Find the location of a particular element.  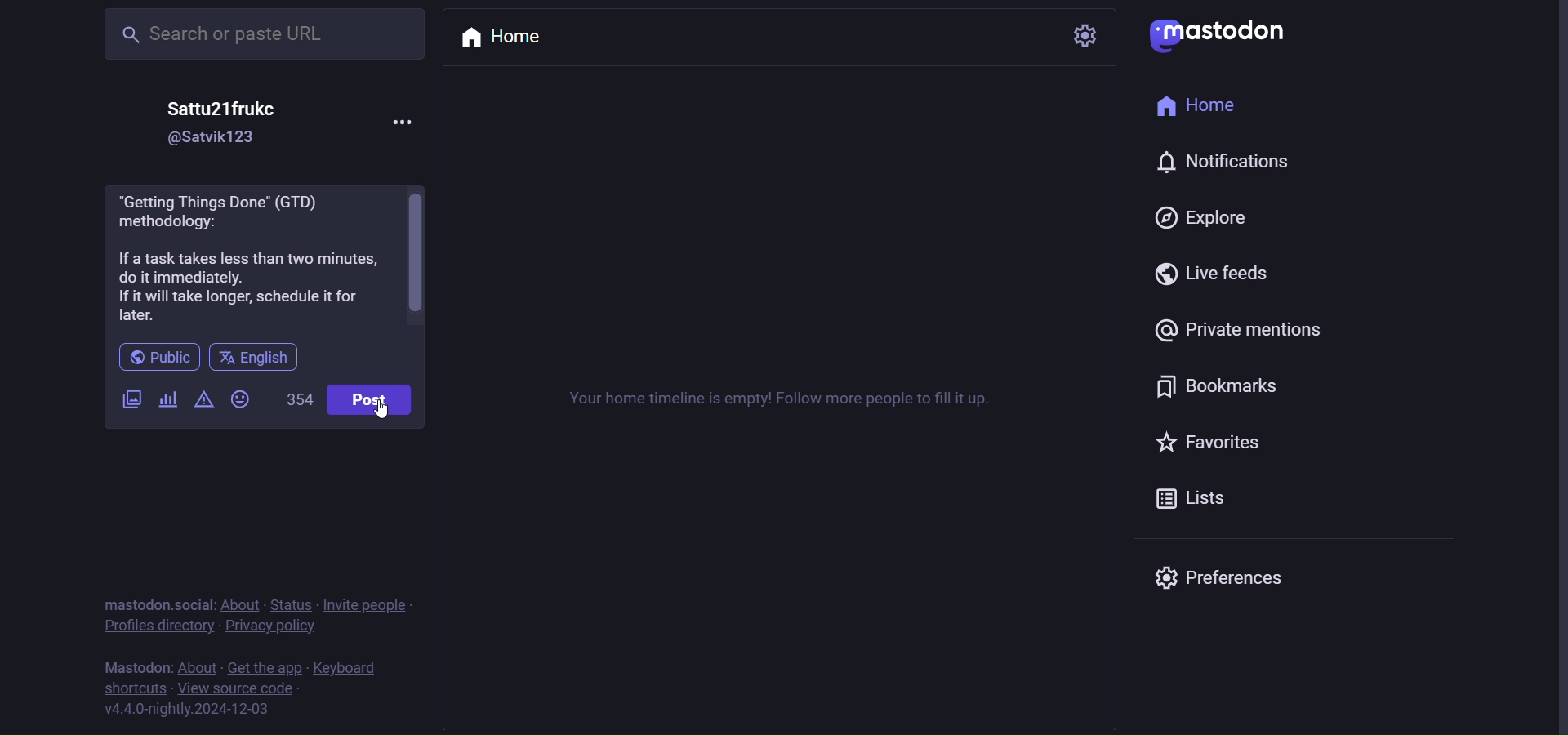

privacy policy is located at coordinates (271, 626).